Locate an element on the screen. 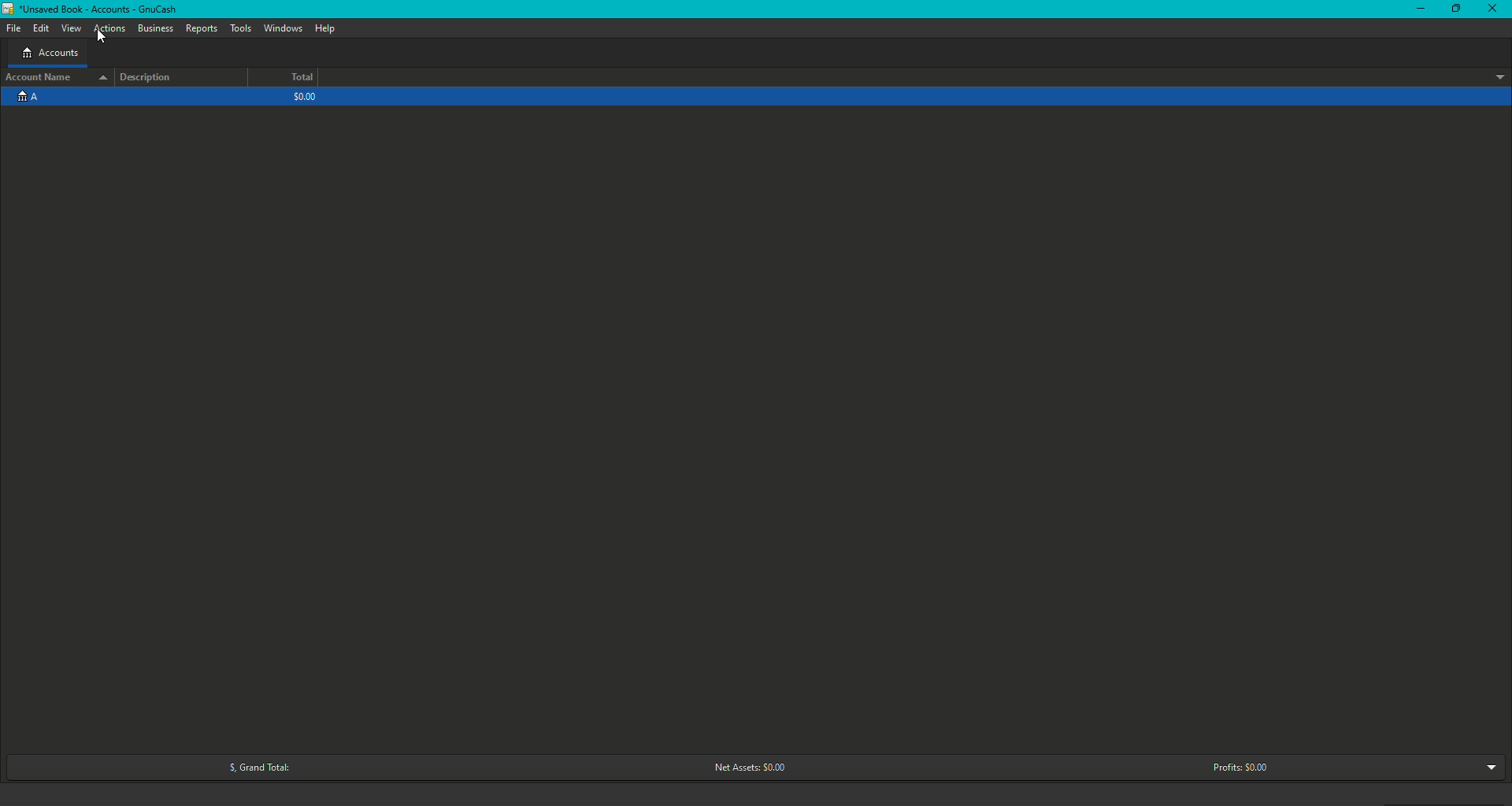 The height and width of the screenshot is (806, 1512). Grand Total is located at coordinates (250, 767).